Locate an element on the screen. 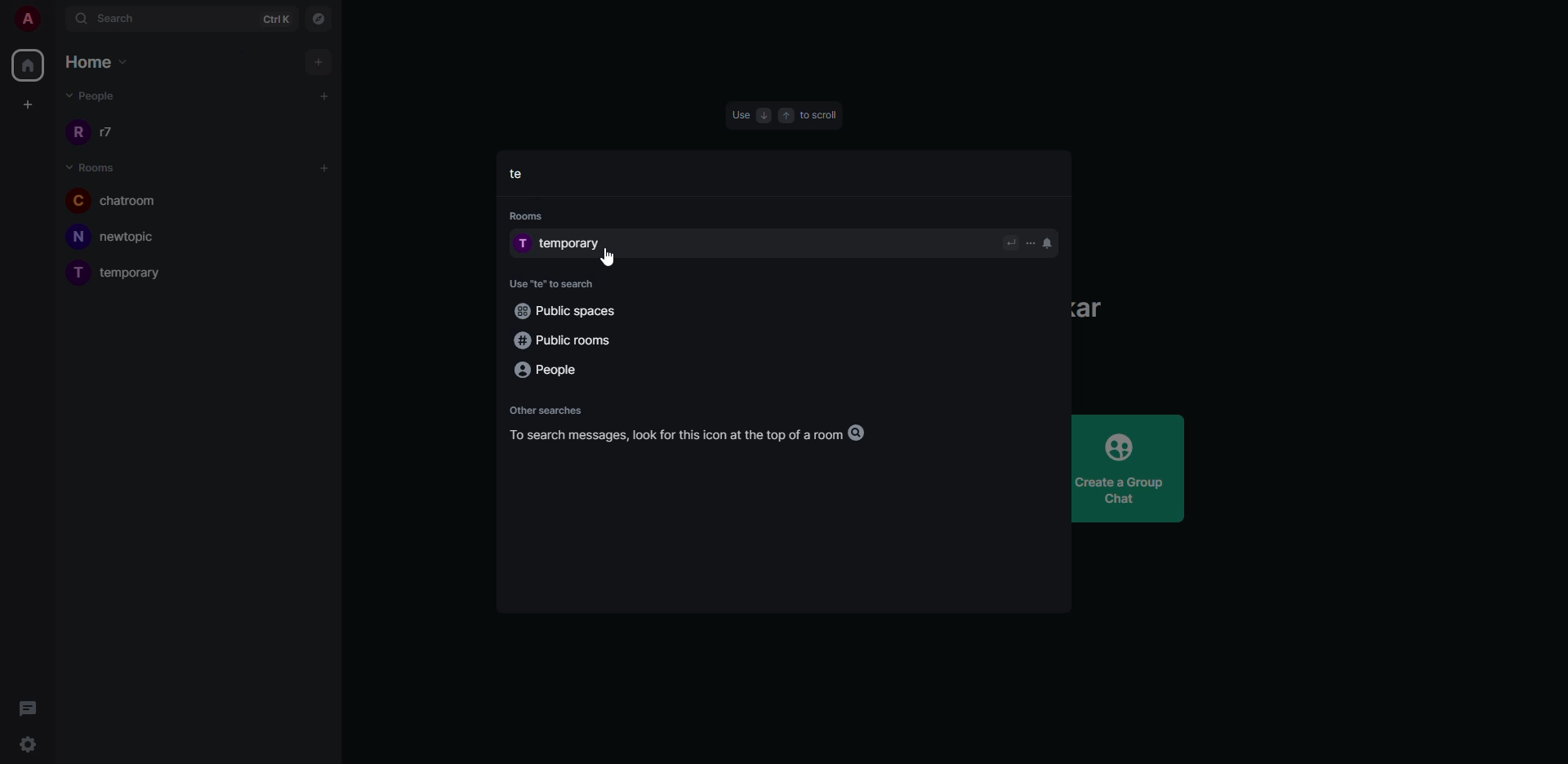  navigator is located at coordinates (321, 20).